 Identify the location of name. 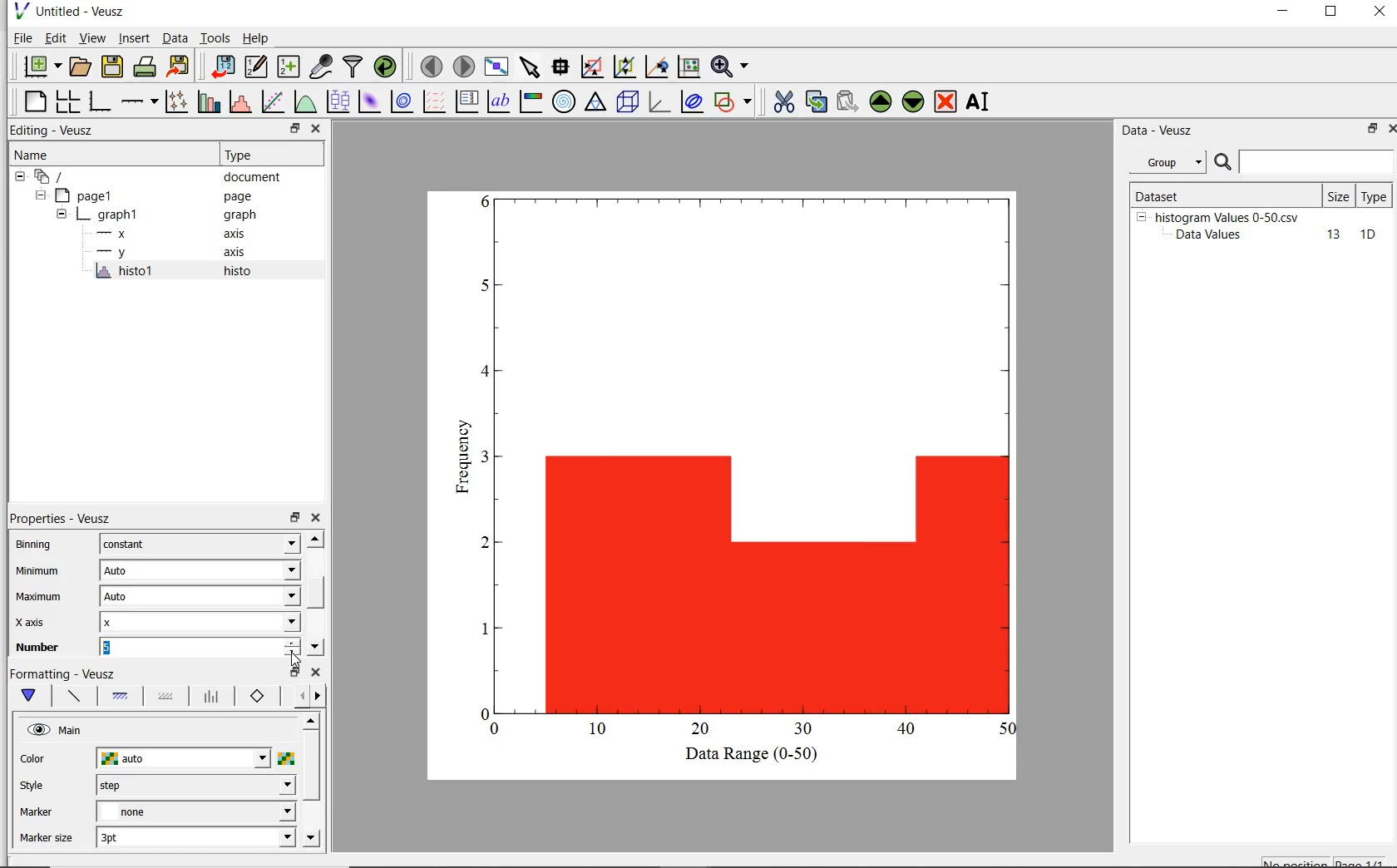
(30, 155).